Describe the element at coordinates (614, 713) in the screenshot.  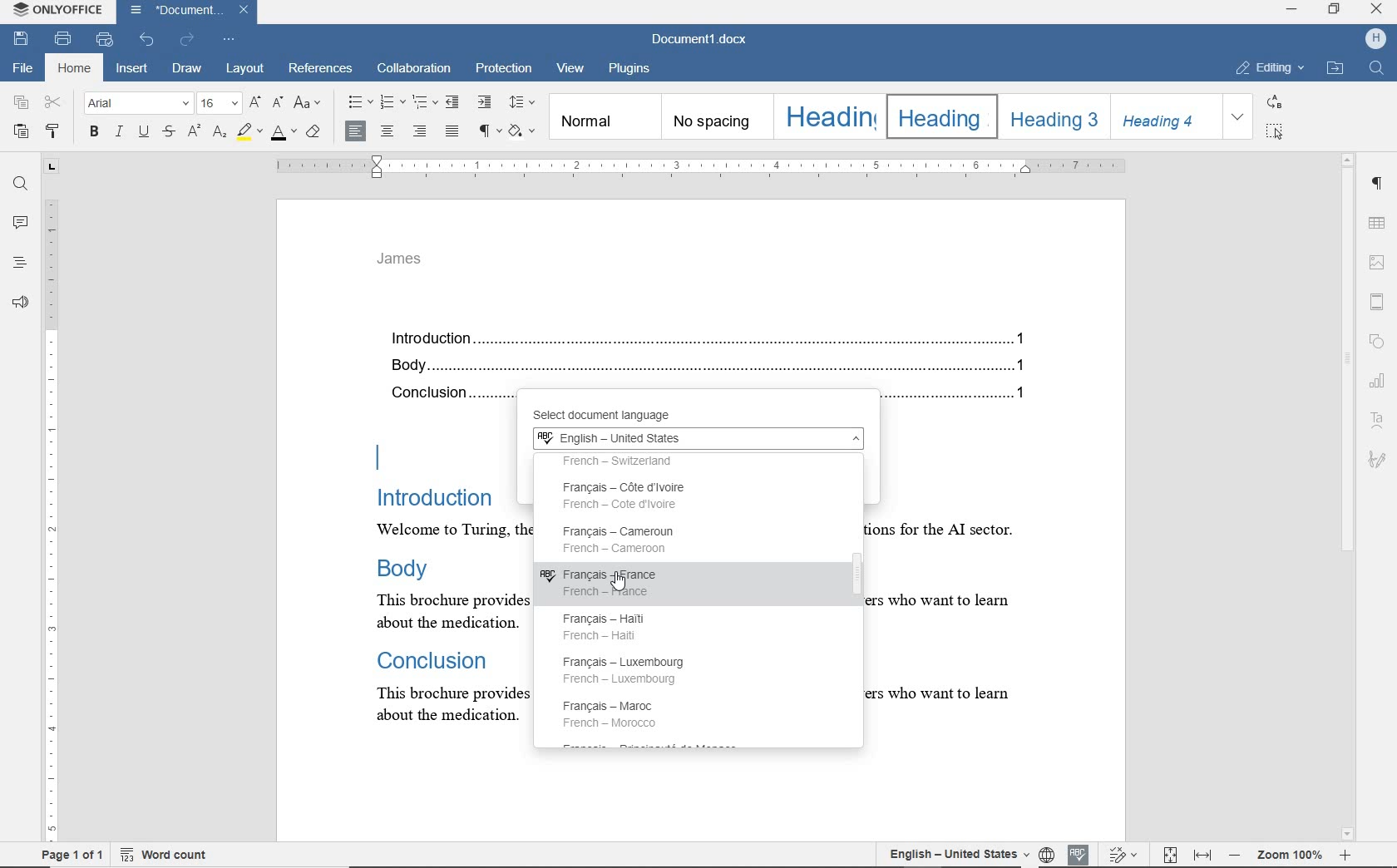
I see `François - Maroc` at that location.